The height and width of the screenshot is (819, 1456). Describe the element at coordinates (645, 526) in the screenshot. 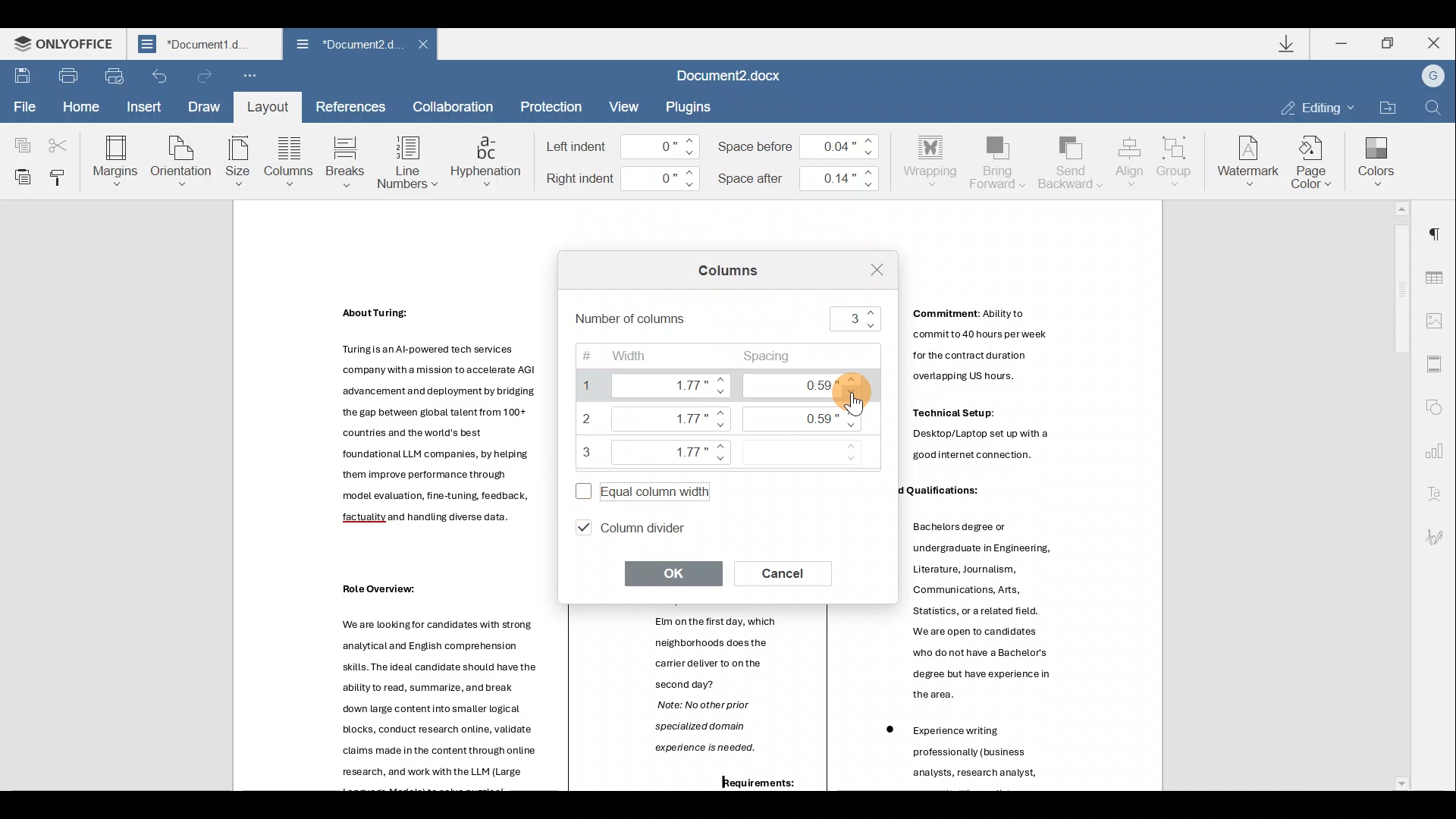

I see `Column divider` at that location.